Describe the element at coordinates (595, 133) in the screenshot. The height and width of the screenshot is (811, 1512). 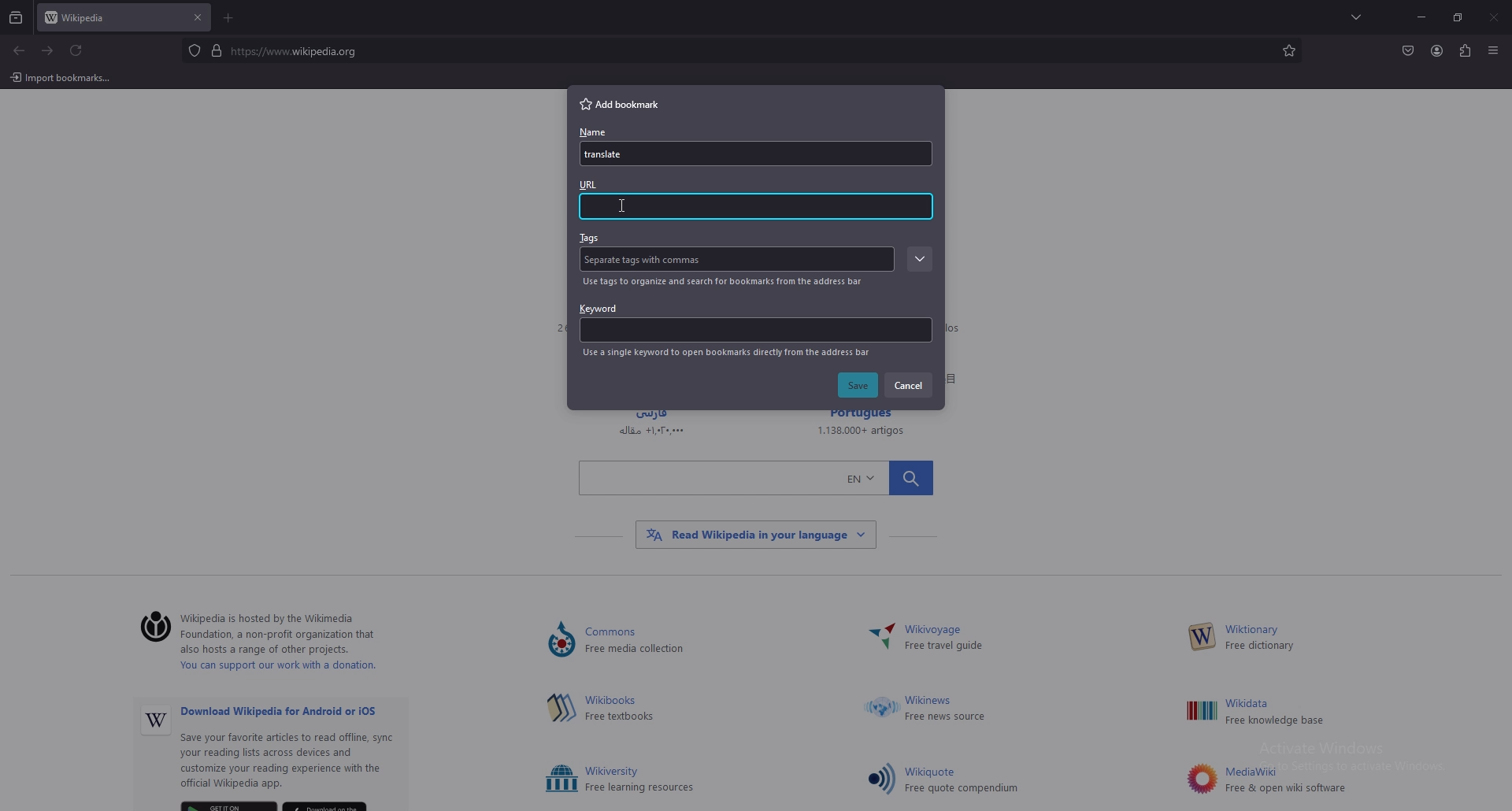
I see `name` at that location.